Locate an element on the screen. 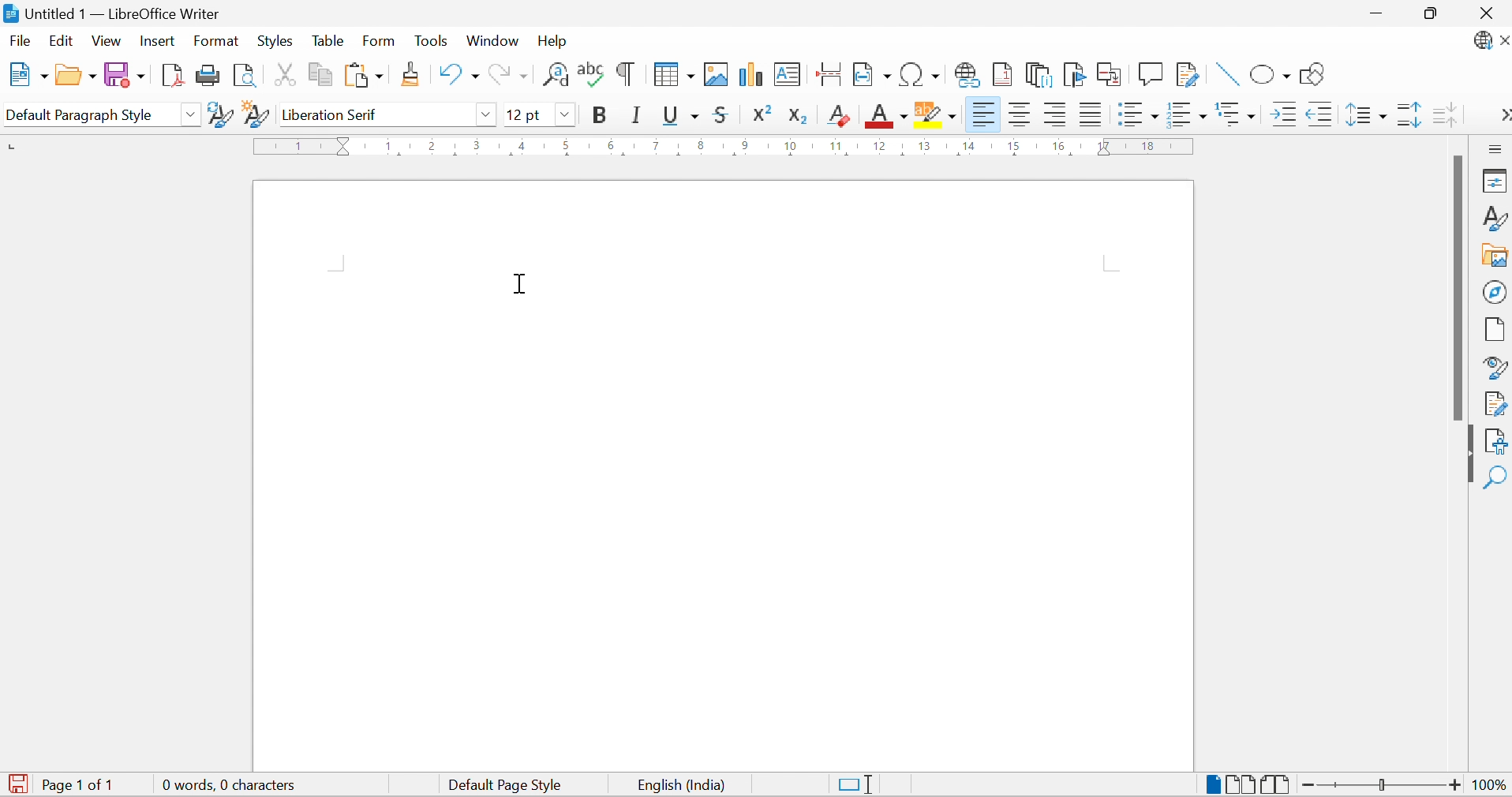  Justified is located at coordinates (1090, 114).